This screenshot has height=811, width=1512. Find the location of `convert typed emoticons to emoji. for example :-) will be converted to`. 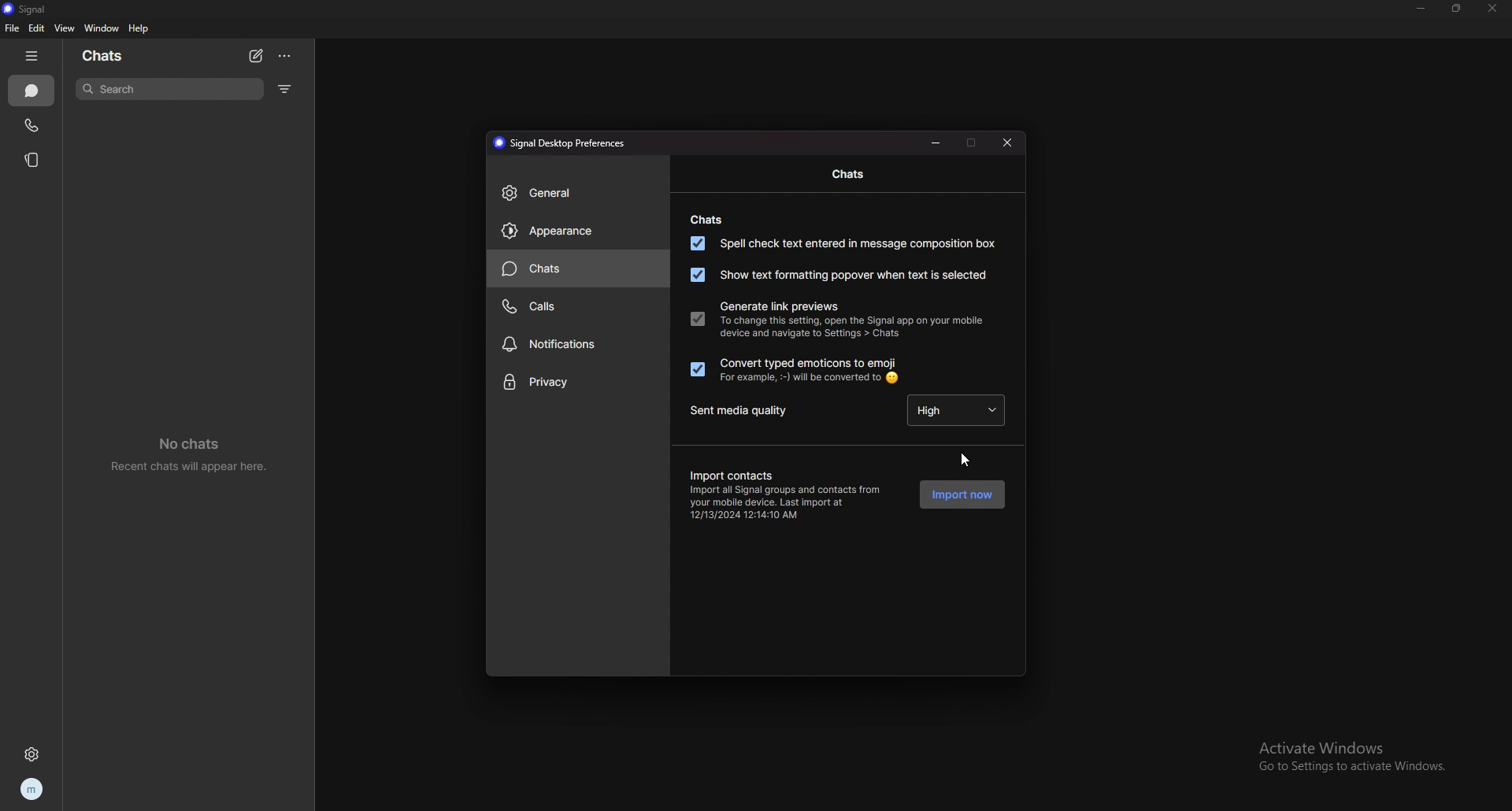

convert typed emoticons to emoji. for example :-) will be converted to is located at coordinates (794, 370).